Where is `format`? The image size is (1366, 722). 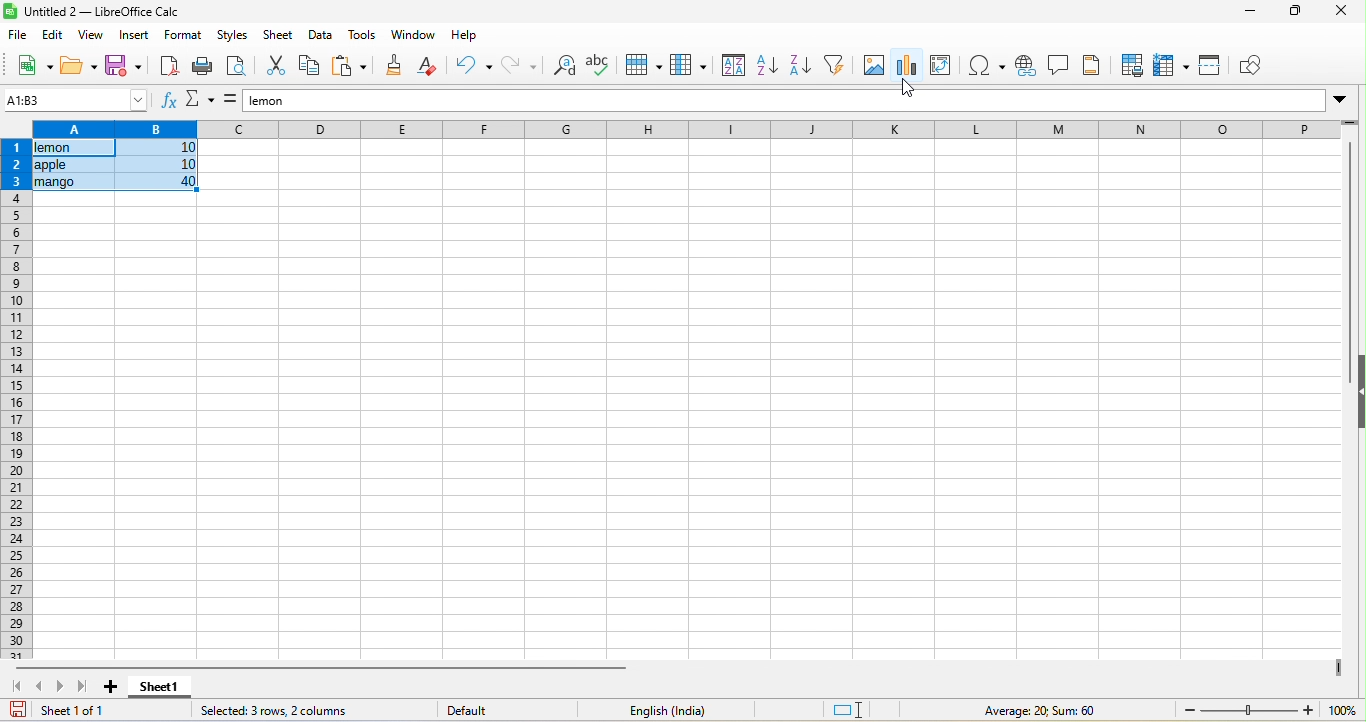 format is located at coordinates (183, 36).